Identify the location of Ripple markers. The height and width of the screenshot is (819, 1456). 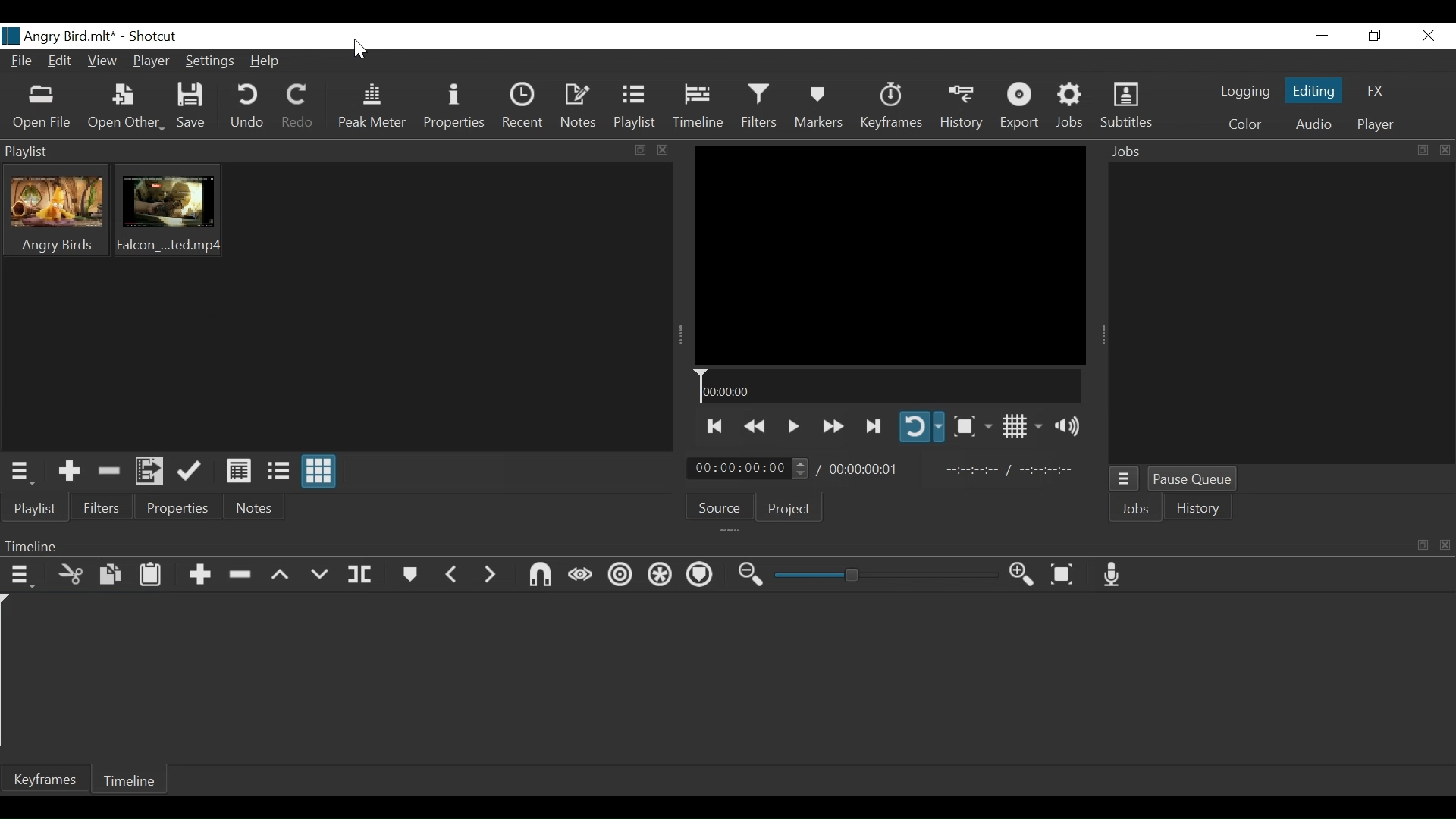
(702, 576).